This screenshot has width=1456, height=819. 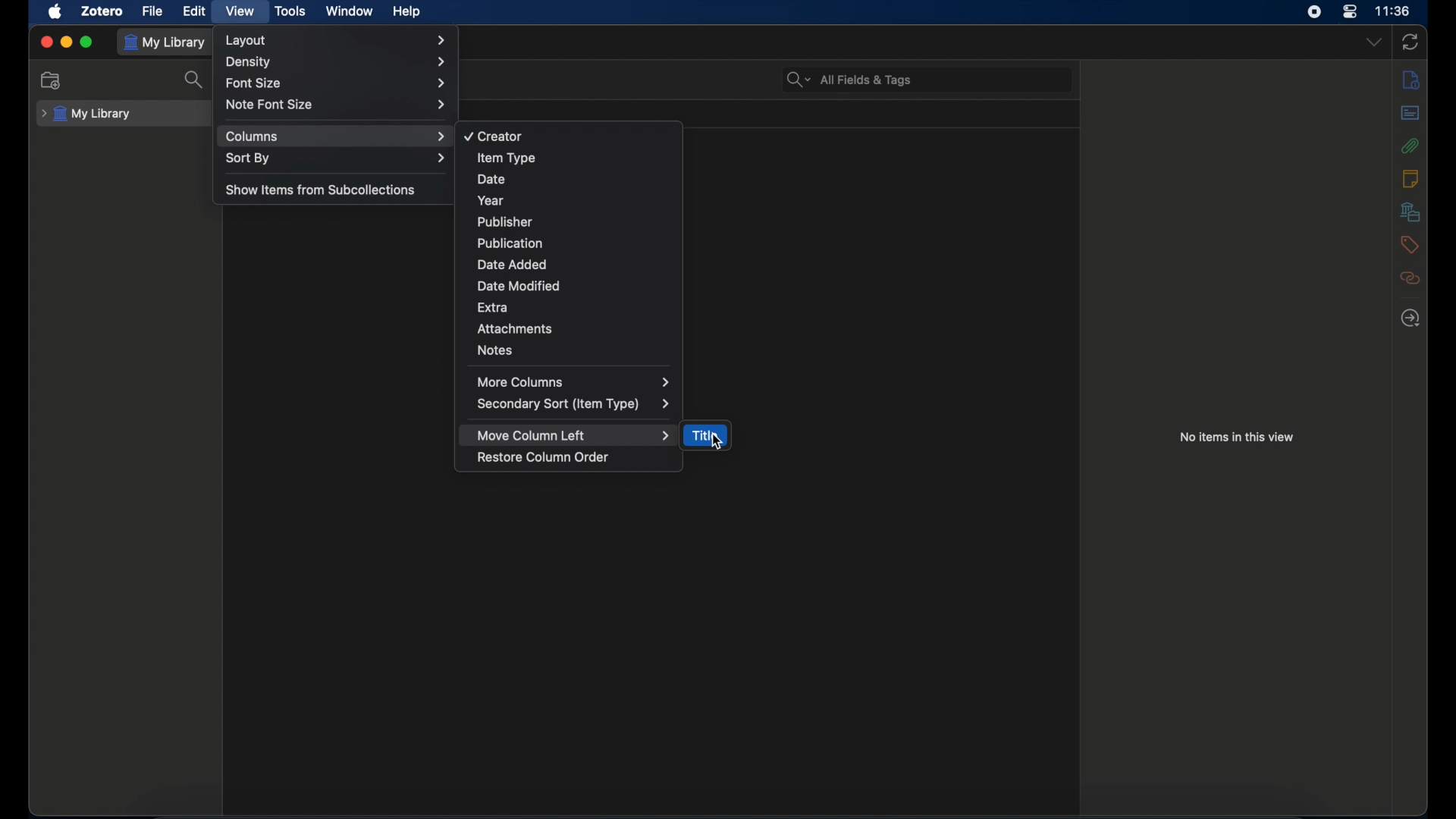 What do you see at coordinates (515, 328) in the screenshot?
I see `attachments` at bounding box center [515, 328].